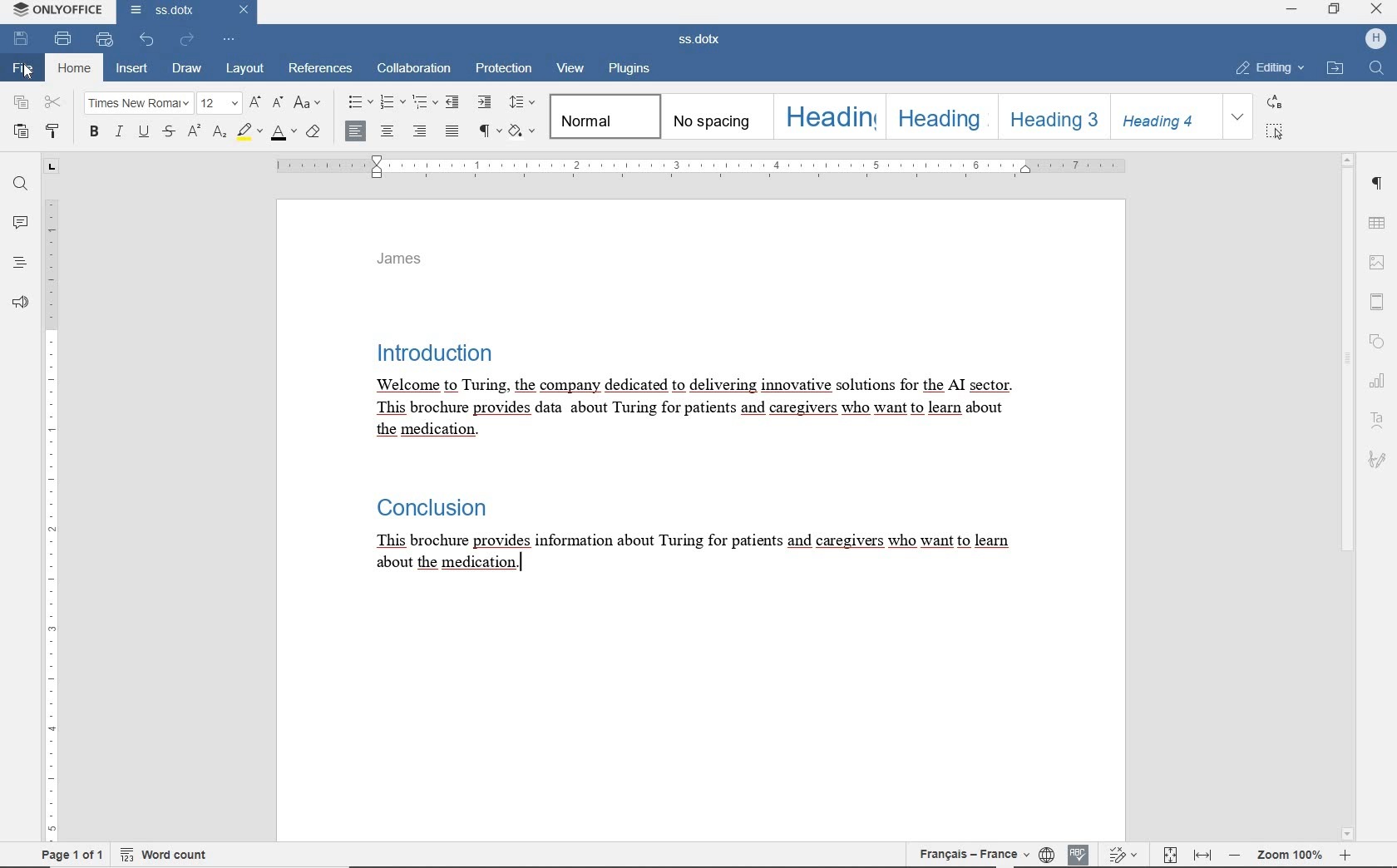 This screenshot has width=1397, height=868. Describe the element at coordinates (572, 67) in the screenshot. I see `VIEW` at that location.